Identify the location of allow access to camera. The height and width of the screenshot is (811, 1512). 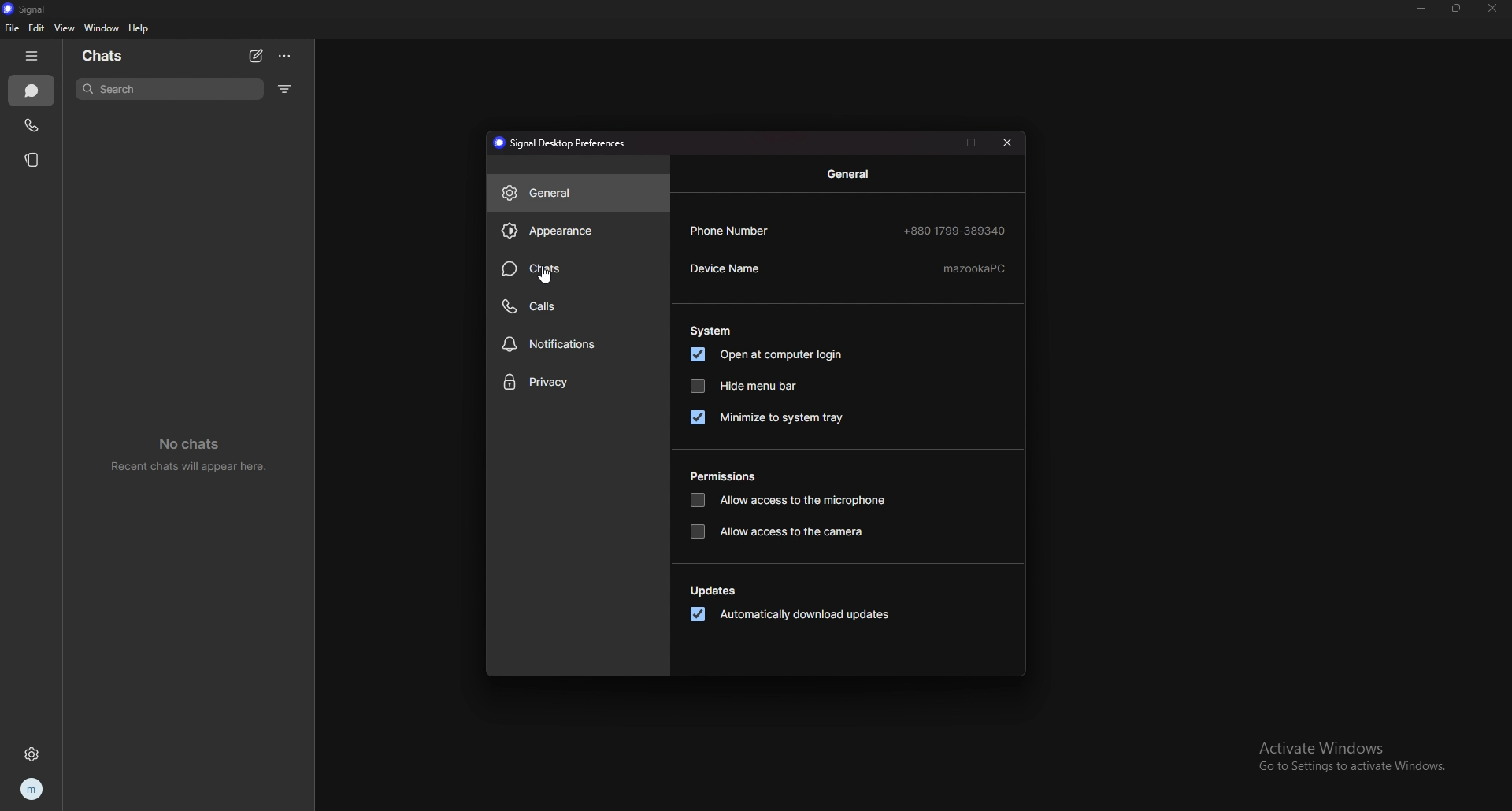
(783, 531).